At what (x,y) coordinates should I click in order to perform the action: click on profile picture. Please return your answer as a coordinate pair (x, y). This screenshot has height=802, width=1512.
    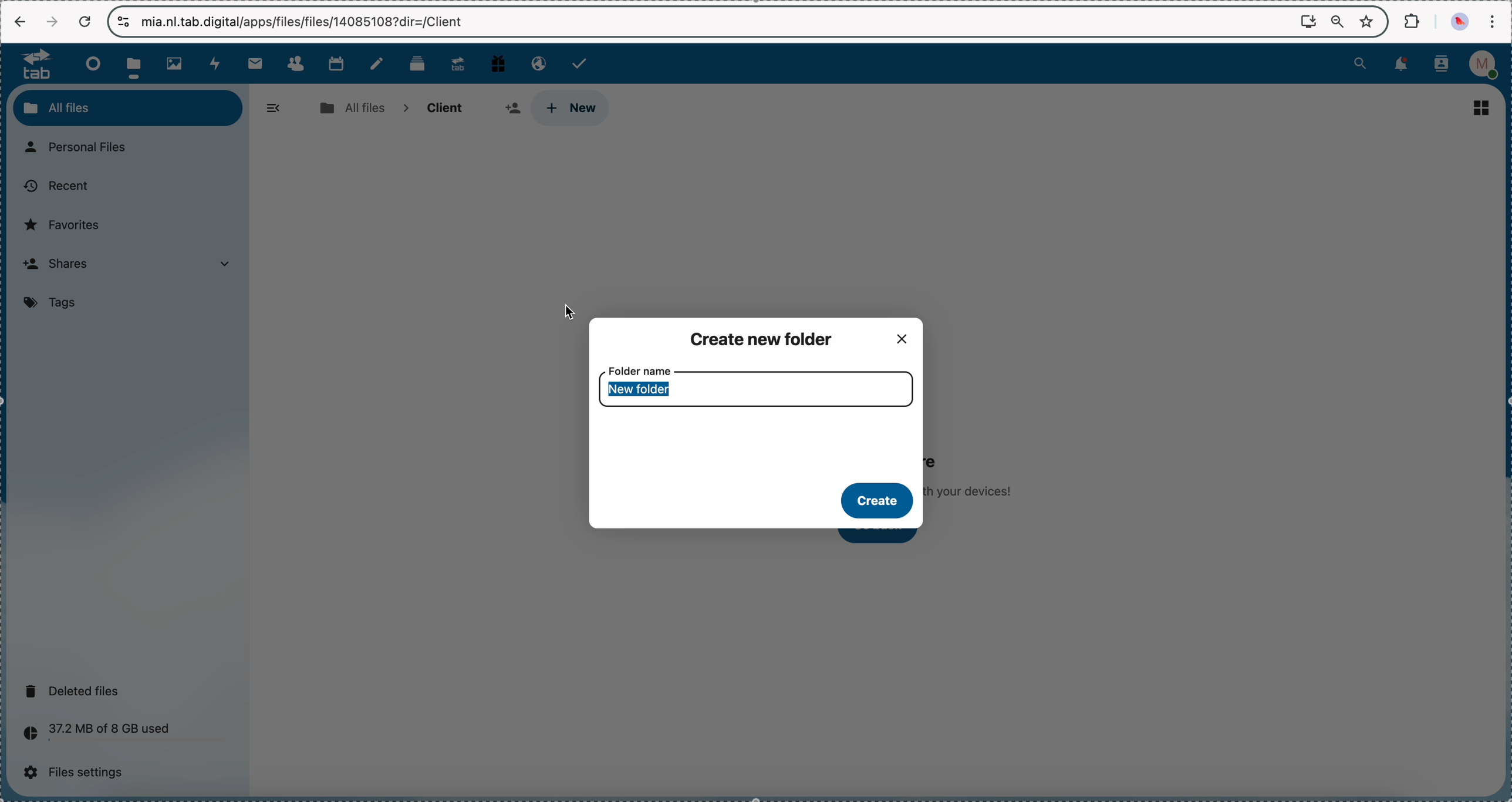
    Looking at the image, I should click on (1462, 22).